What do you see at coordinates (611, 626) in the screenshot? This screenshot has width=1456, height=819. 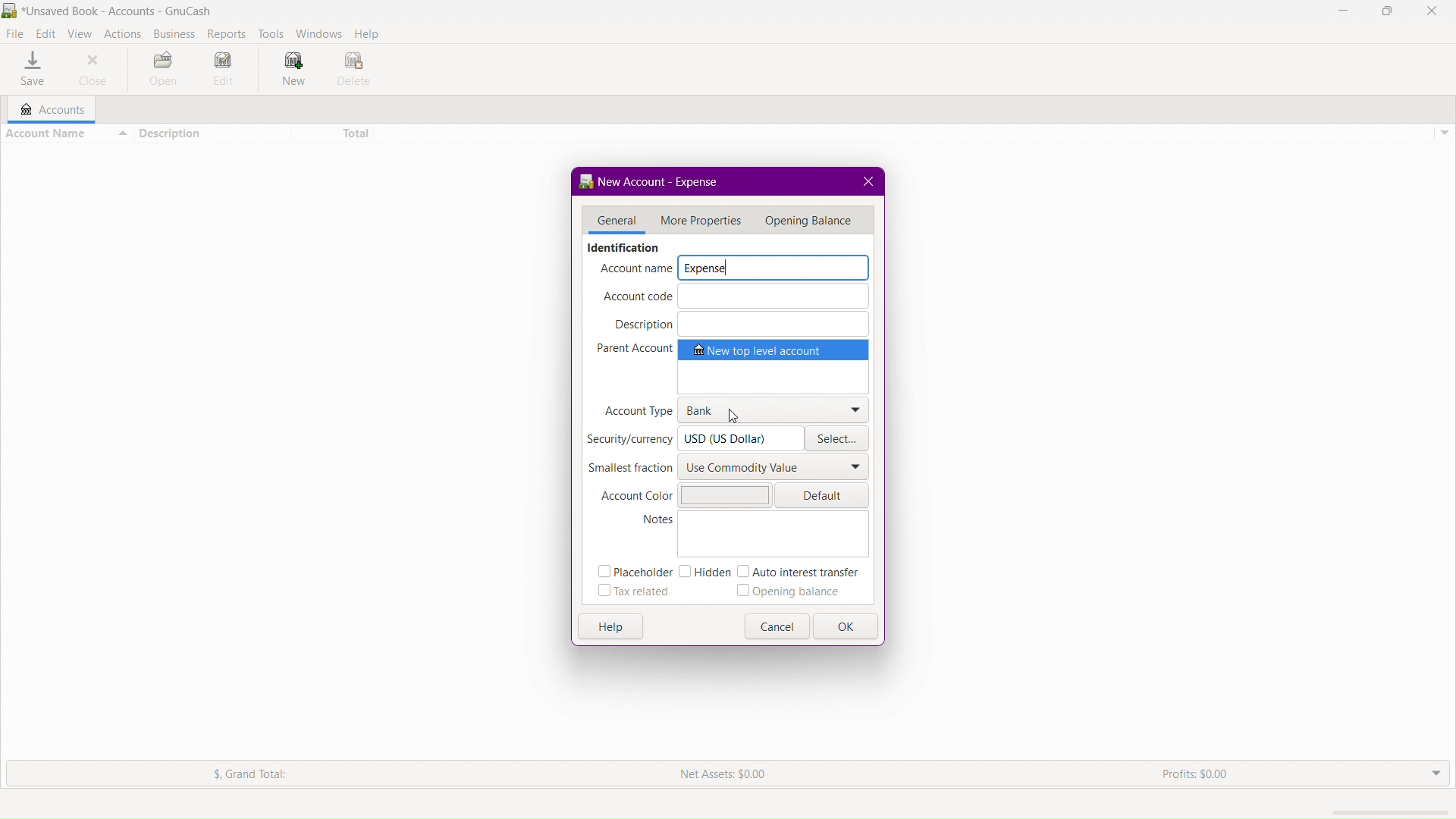 I see `Help` at bounding box center [611, 626].